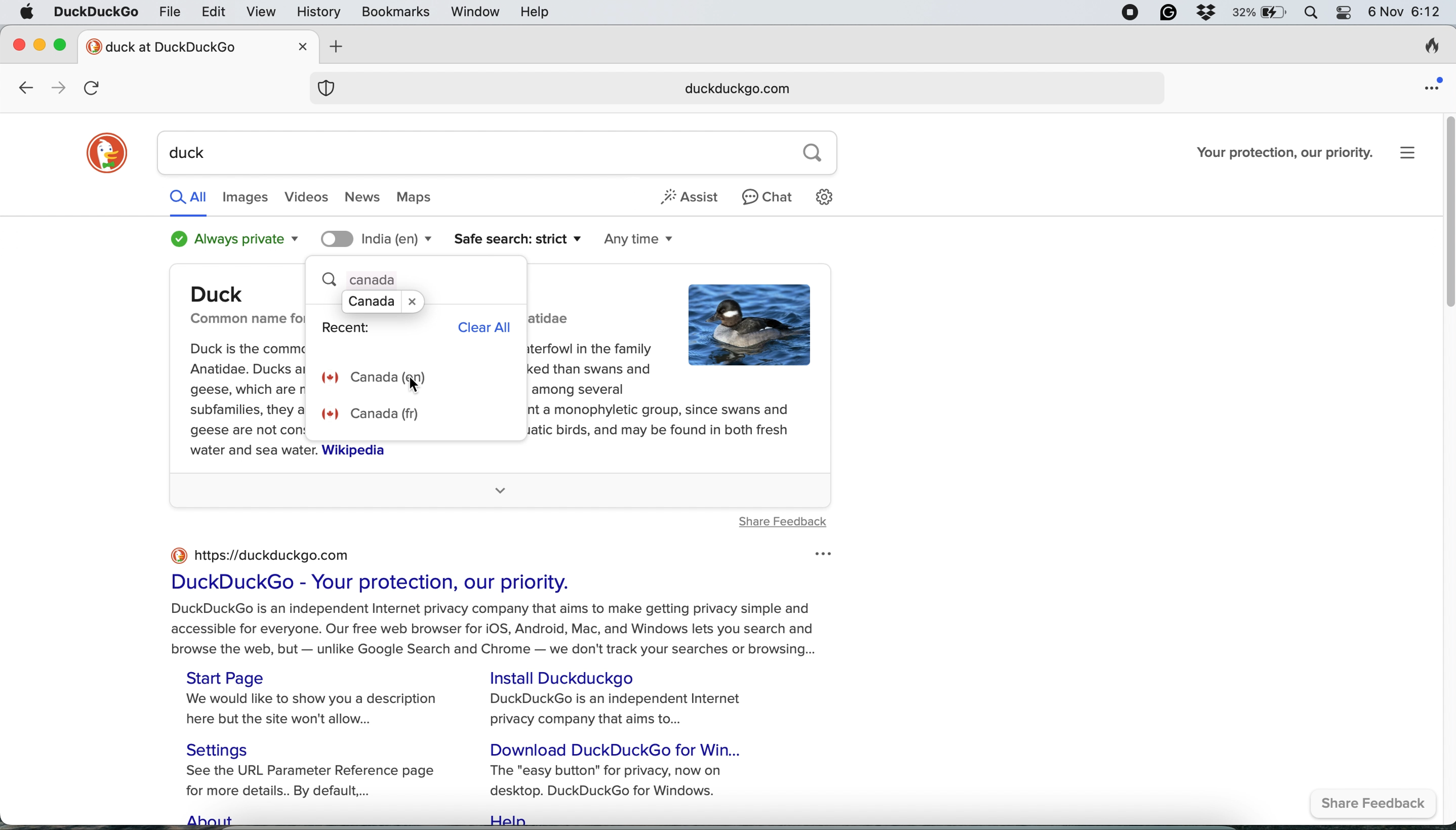 The width and height of the screenshot is (1456, 830). I want to click on window, so click(477, 13).